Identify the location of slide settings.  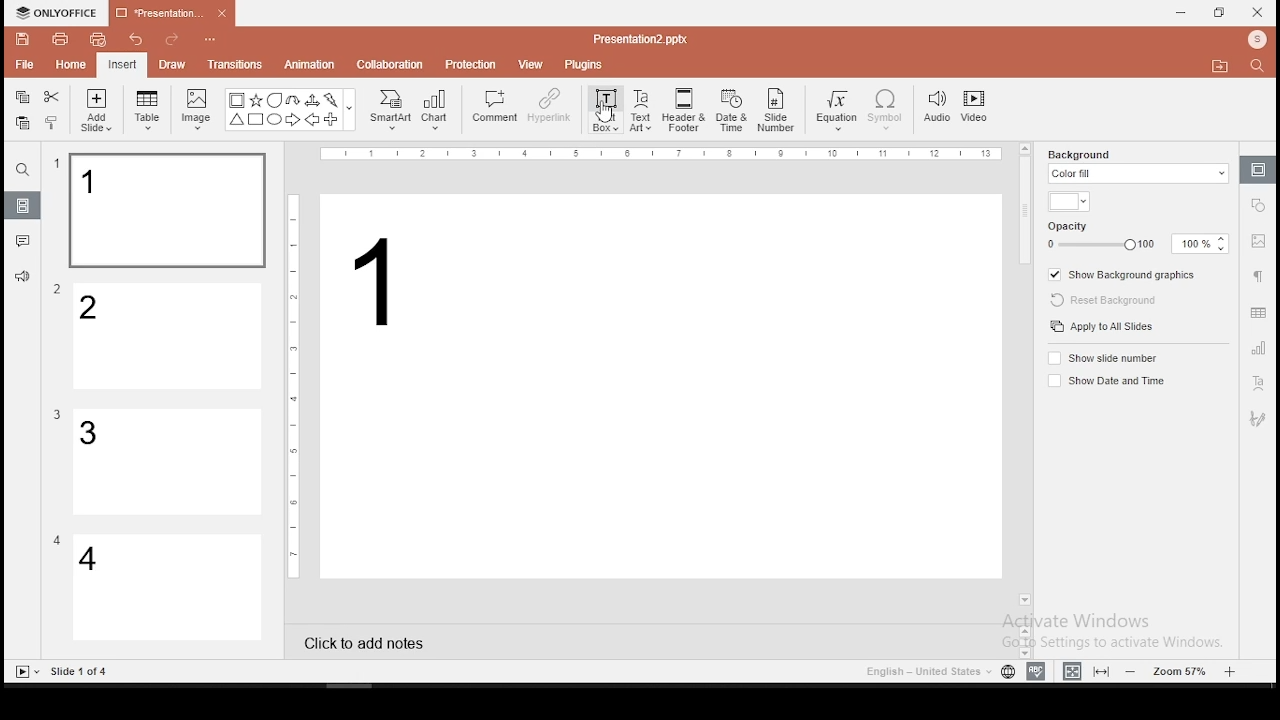
(1258, 169).